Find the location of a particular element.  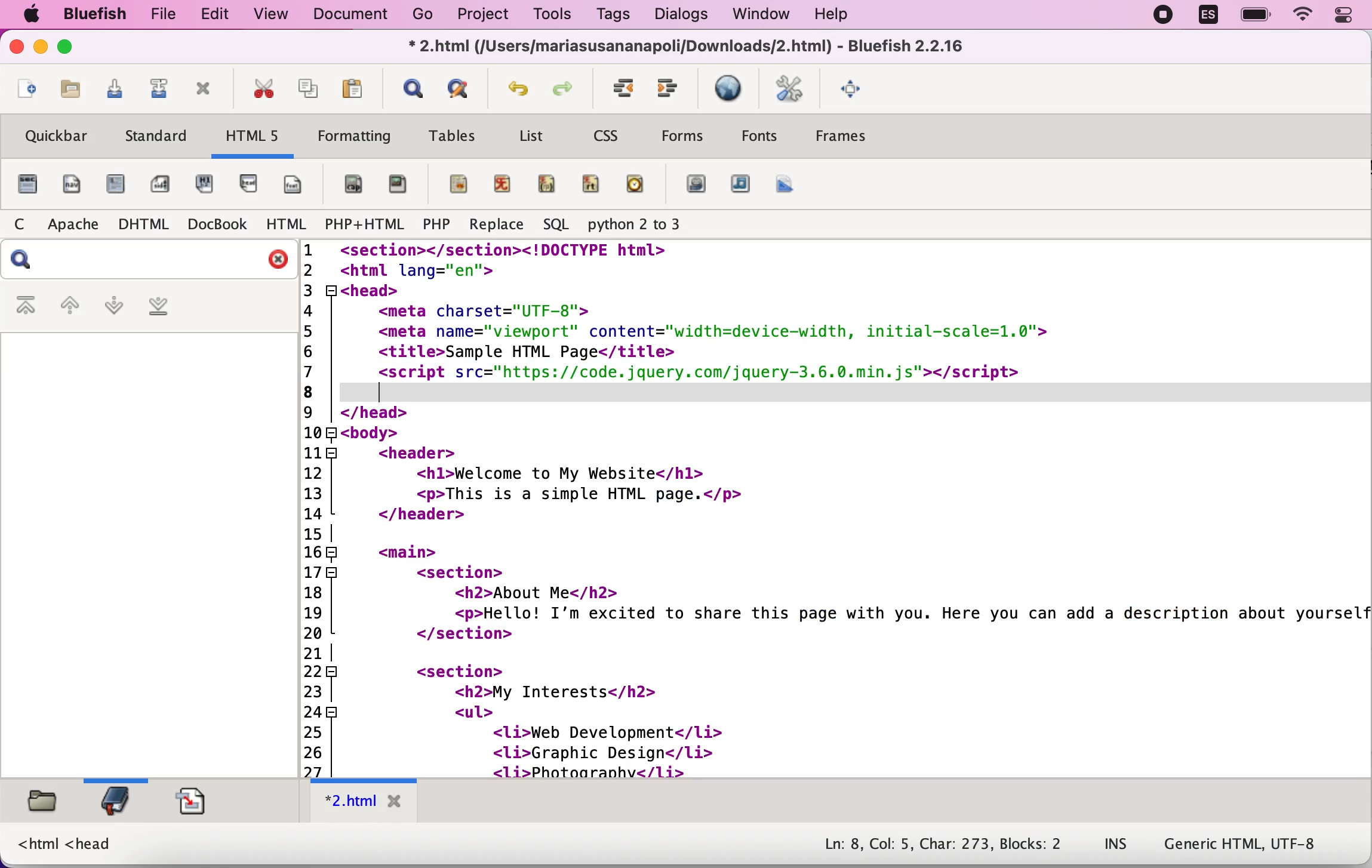

Generic HTML, UTF-8 is located at coordinates (1245, 847).